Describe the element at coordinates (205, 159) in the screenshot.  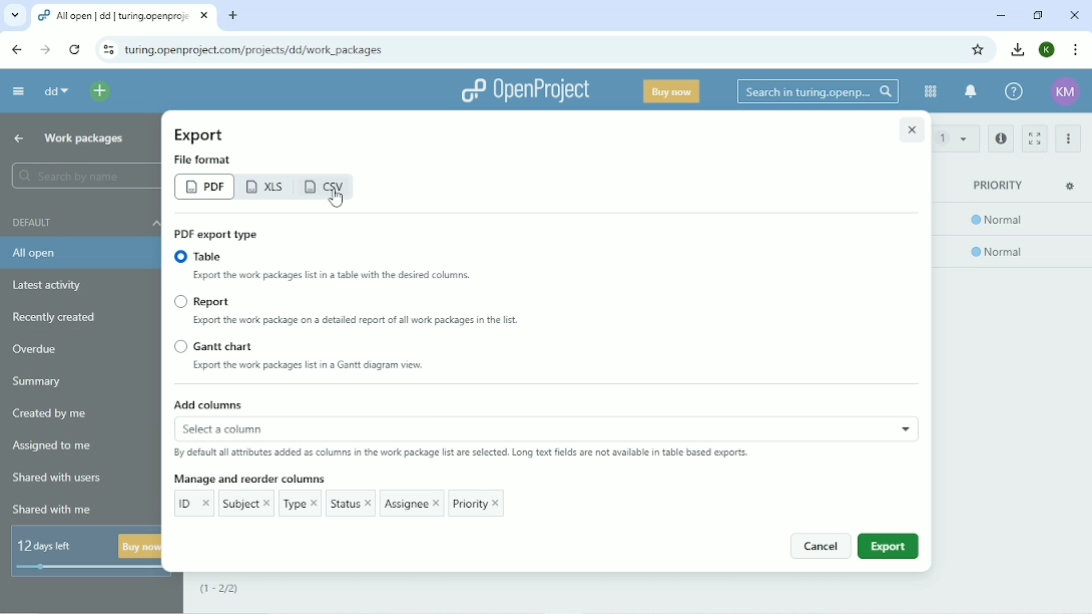
I see `File format` at that location.